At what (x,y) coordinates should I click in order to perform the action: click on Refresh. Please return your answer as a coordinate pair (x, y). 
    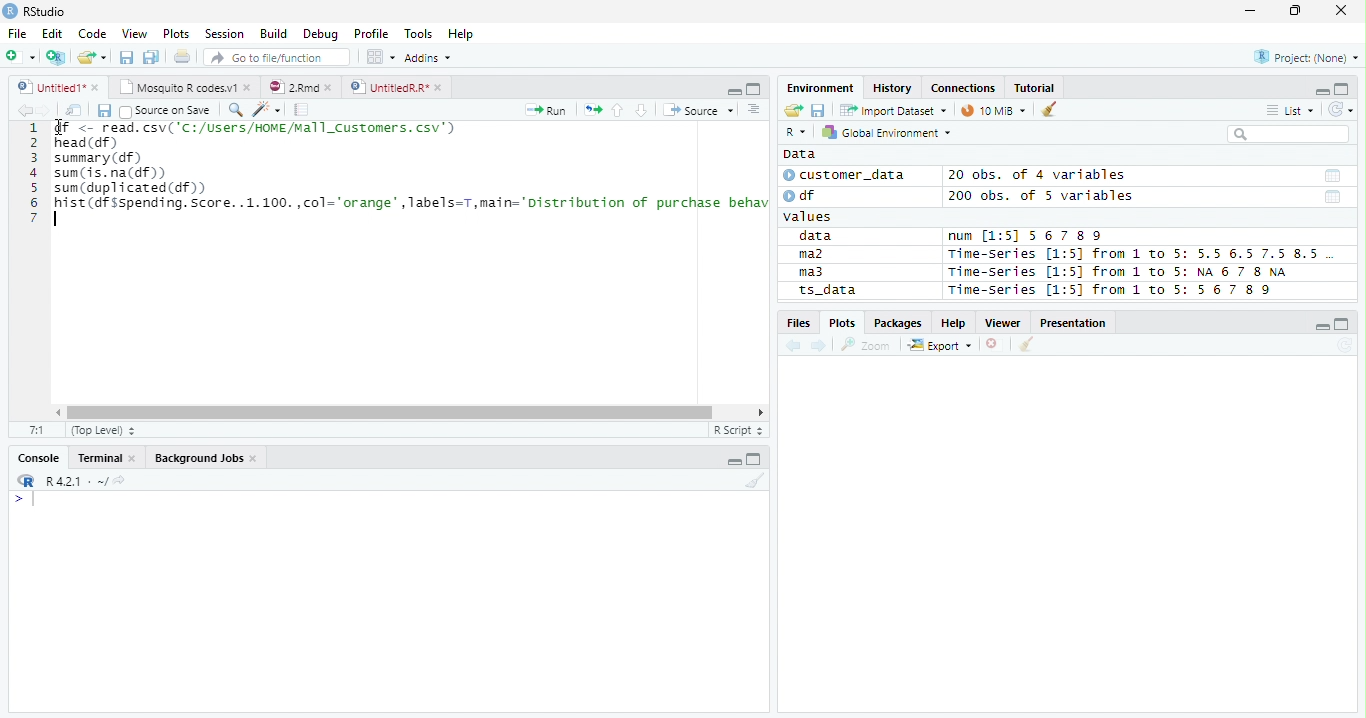
    Looking at the image, I should click on (1341, 107).